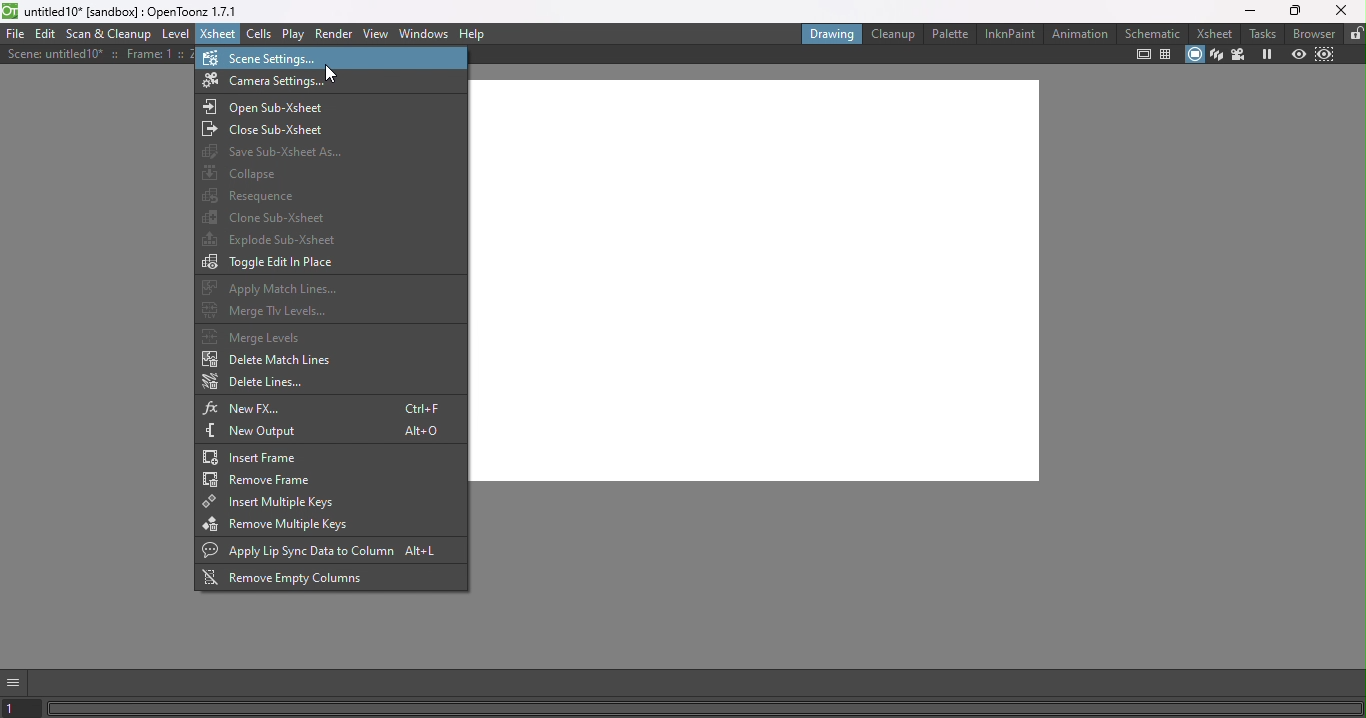 The width and height of the screenshot is (1366, 718). What do you see at coordinates (1168, 55) in the screenshot?
I see `Field guide` at bounding box center [1168, 55].